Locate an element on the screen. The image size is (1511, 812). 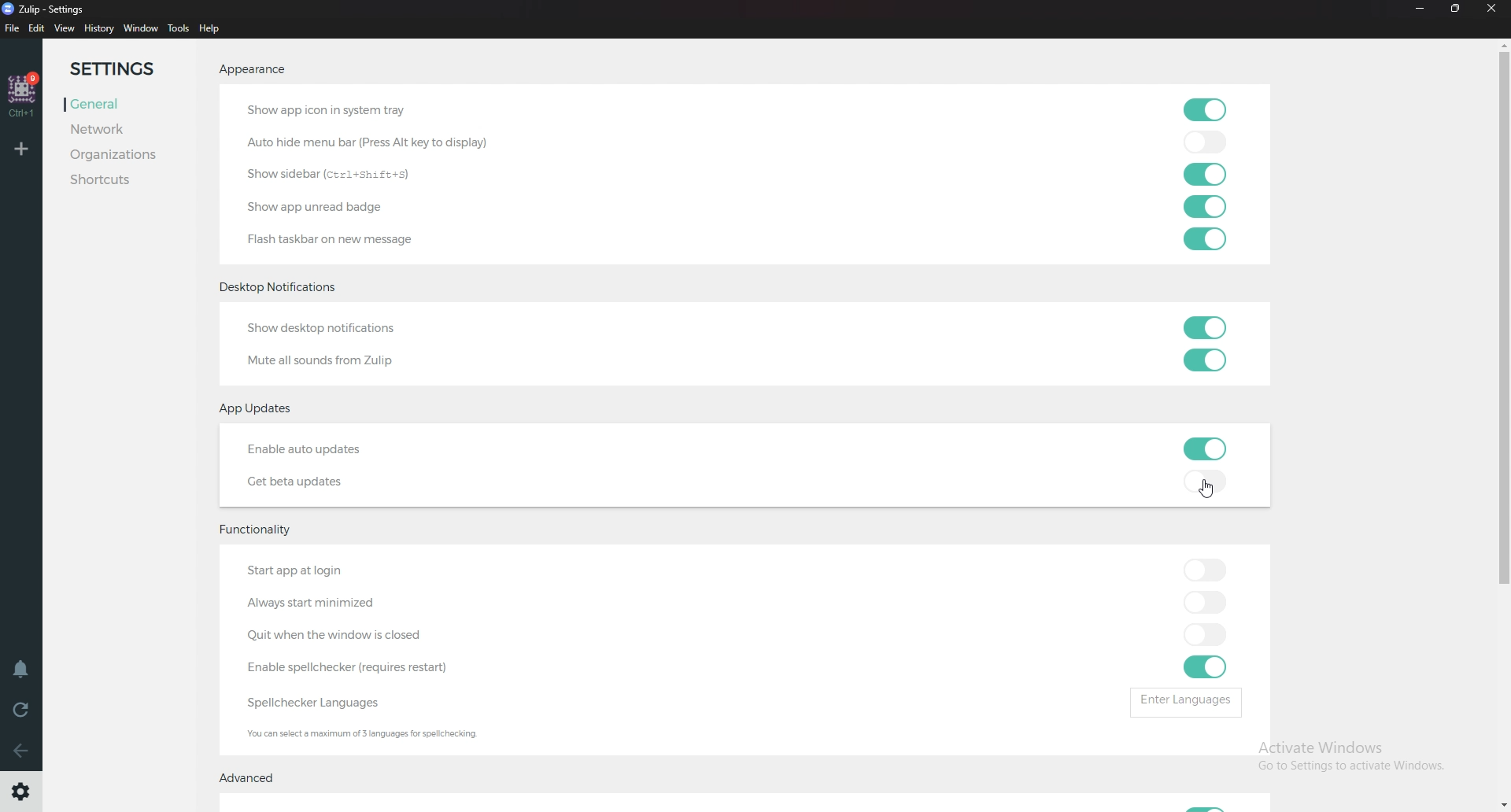
Tools is located at coordinates (179, 28).